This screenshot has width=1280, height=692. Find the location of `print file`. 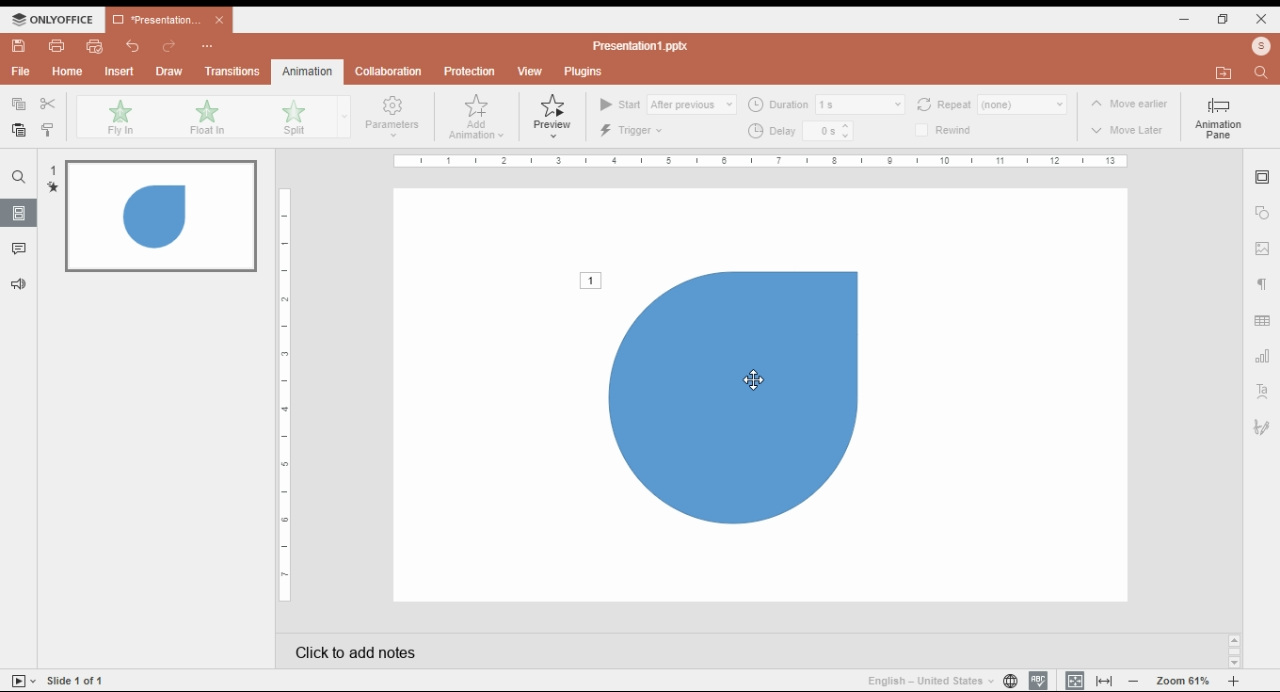

print file is located at coordinates (58, 46).